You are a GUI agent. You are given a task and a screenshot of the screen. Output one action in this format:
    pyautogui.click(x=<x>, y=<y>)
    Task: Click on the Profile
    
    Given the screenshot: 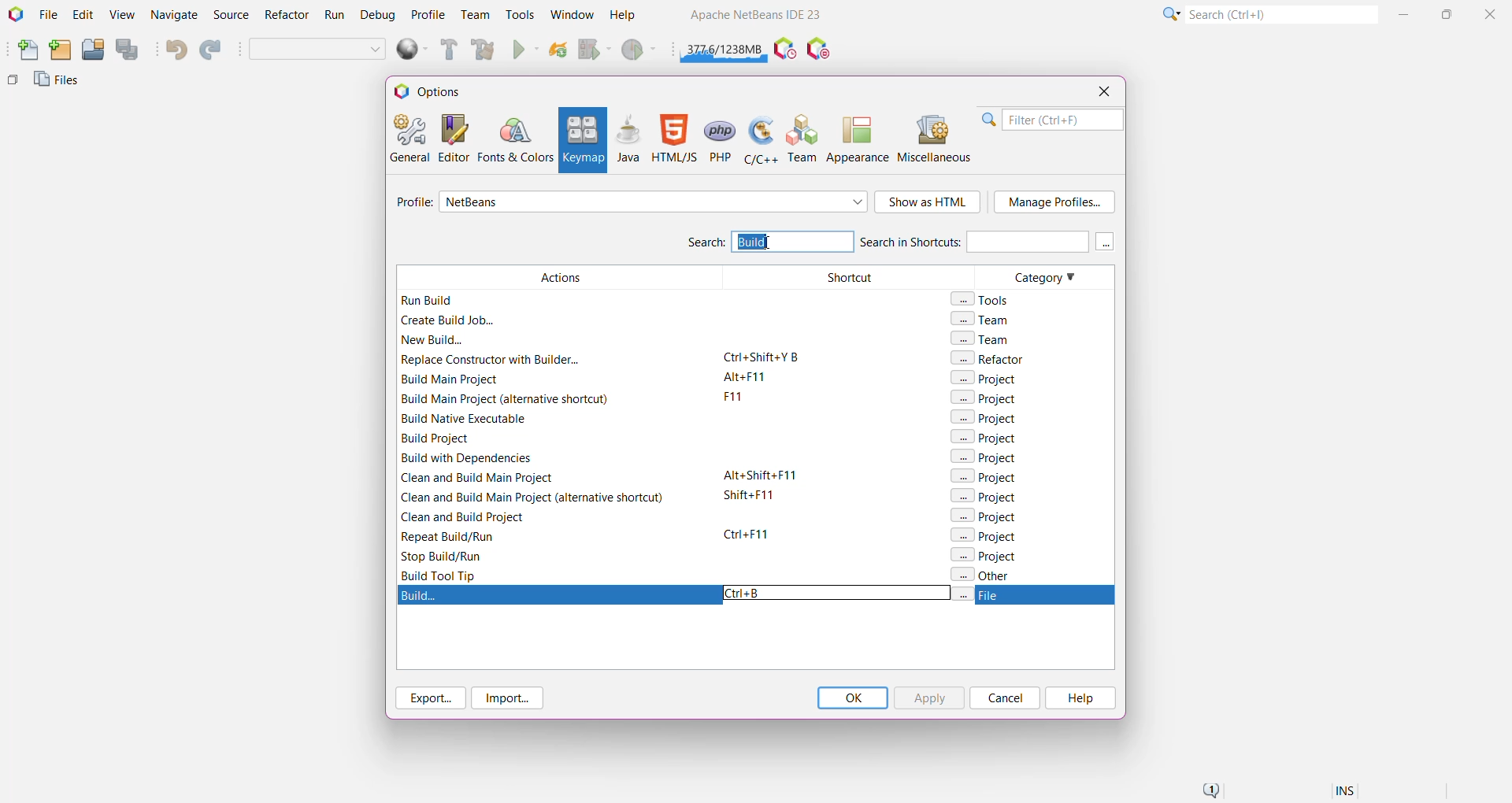 What is the action you would take?
    pyautogui.click(x=428, y=14)
    